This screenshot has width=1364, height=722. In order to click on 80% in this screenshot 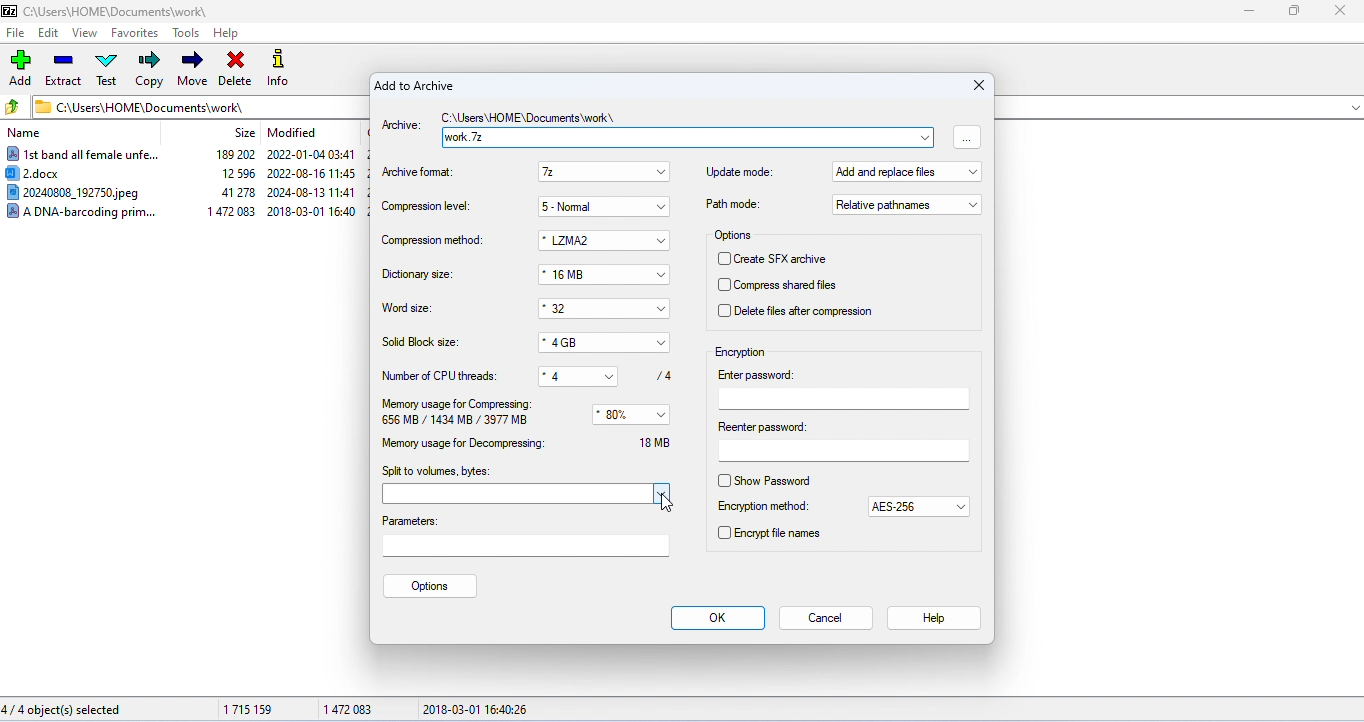, I will do `click(620, 415)`.